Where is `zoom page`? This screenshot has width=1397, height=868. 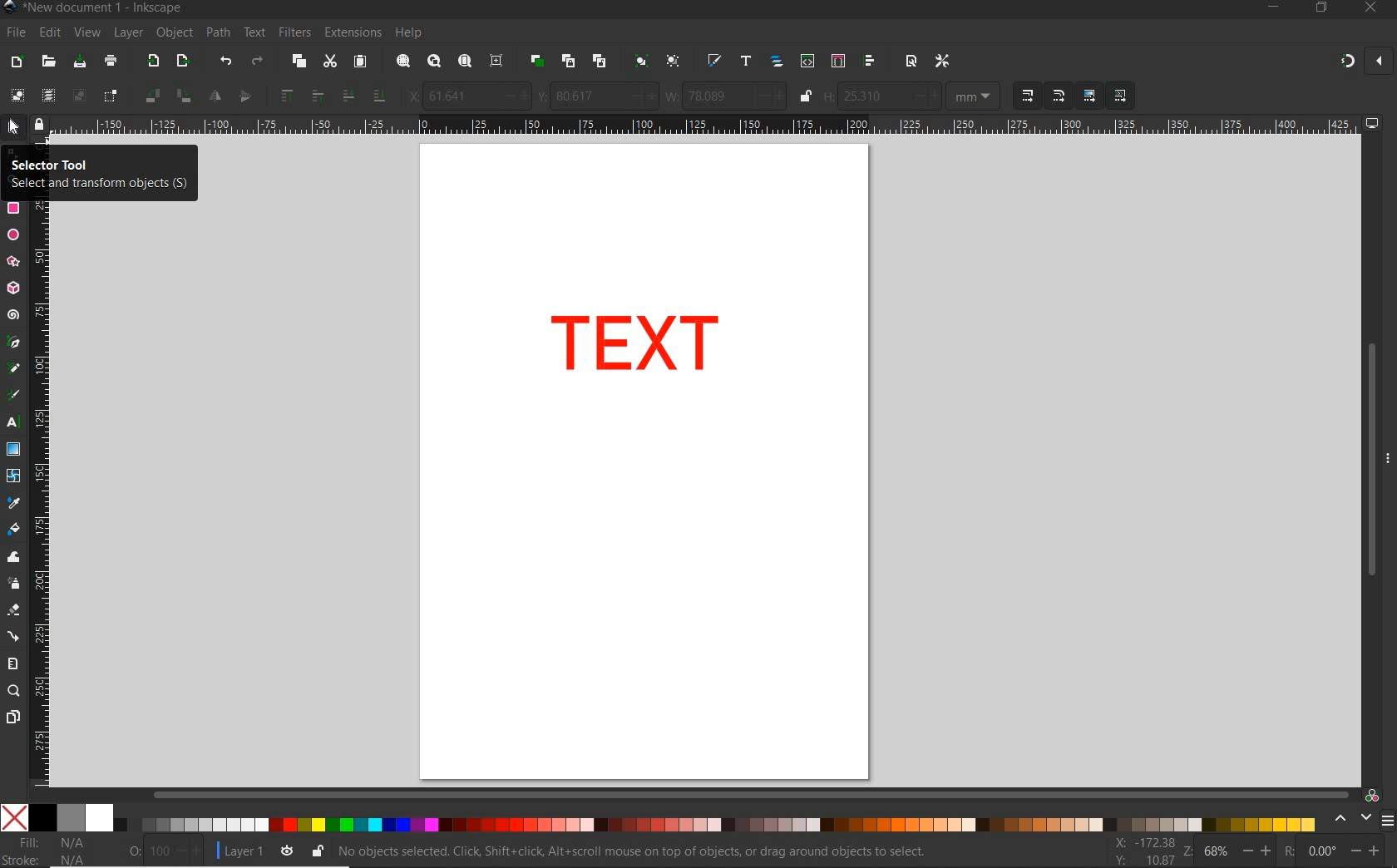
zoom page is located at coordinates (464, 61).